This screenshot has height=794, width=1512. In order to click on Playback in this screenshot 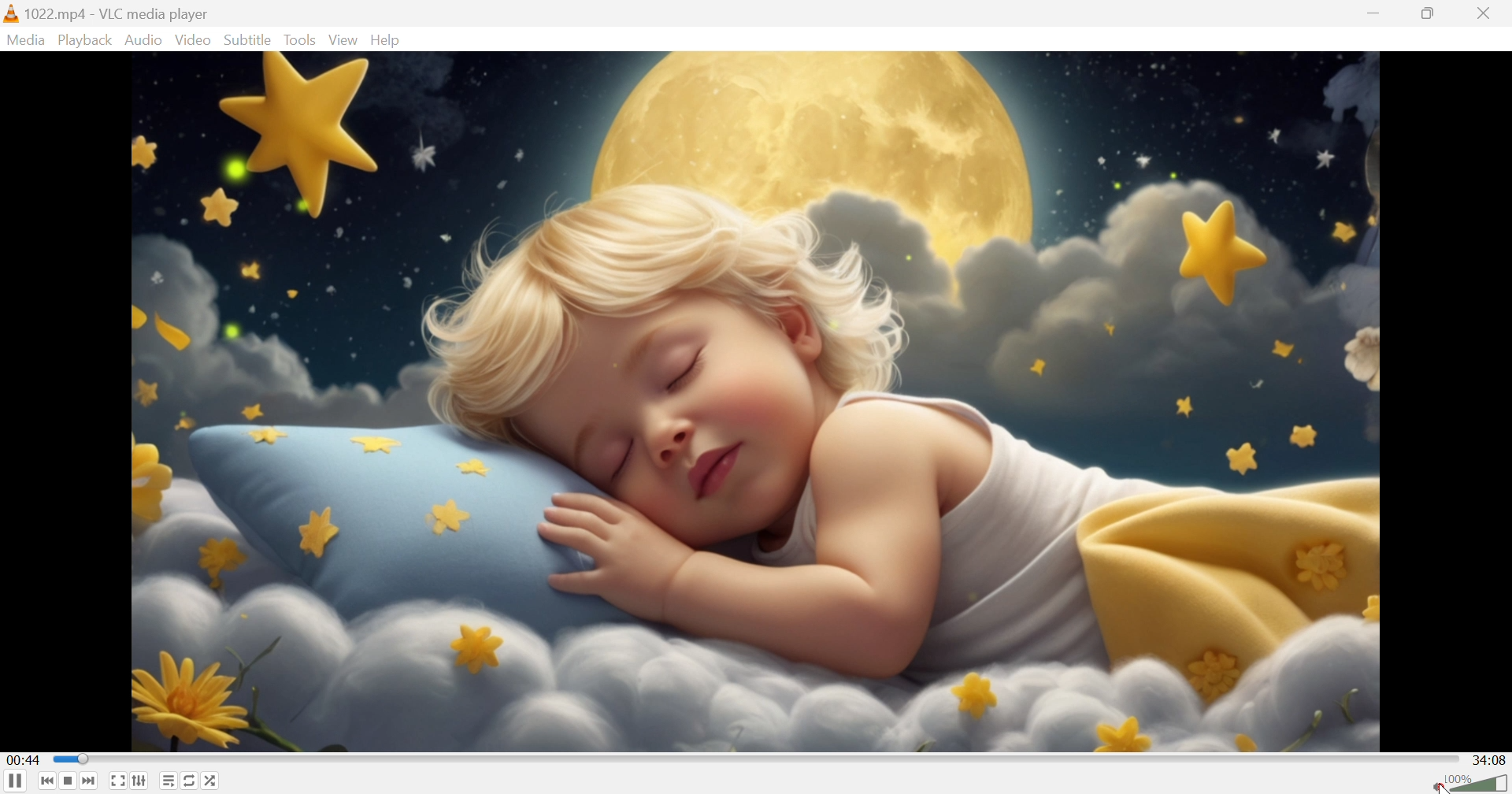, I will do `click(83, 39)`.